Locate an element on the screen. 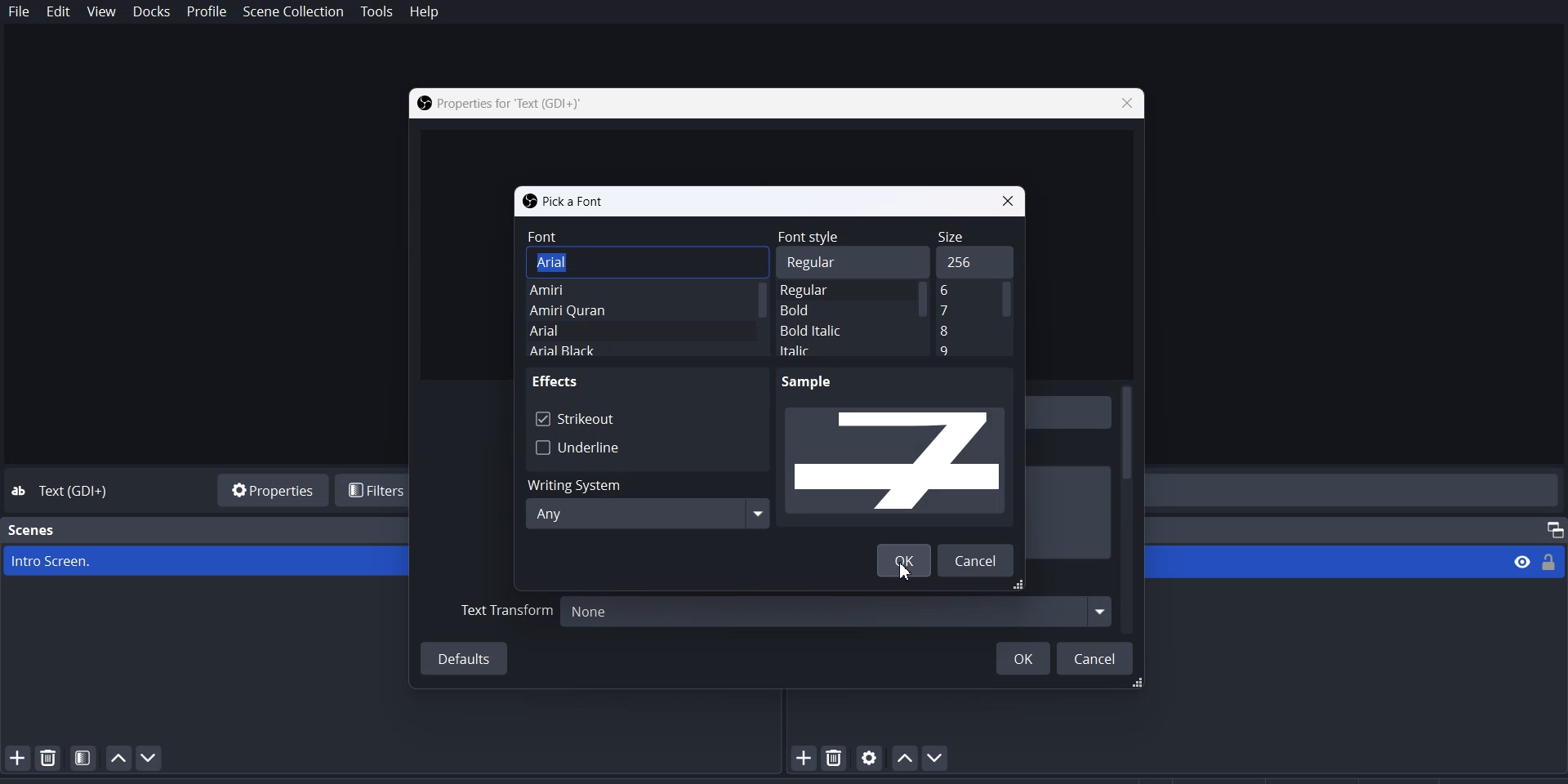 The width and height of the screenshot is (1568, 784). Cursor is located at coordinates (908, 571).